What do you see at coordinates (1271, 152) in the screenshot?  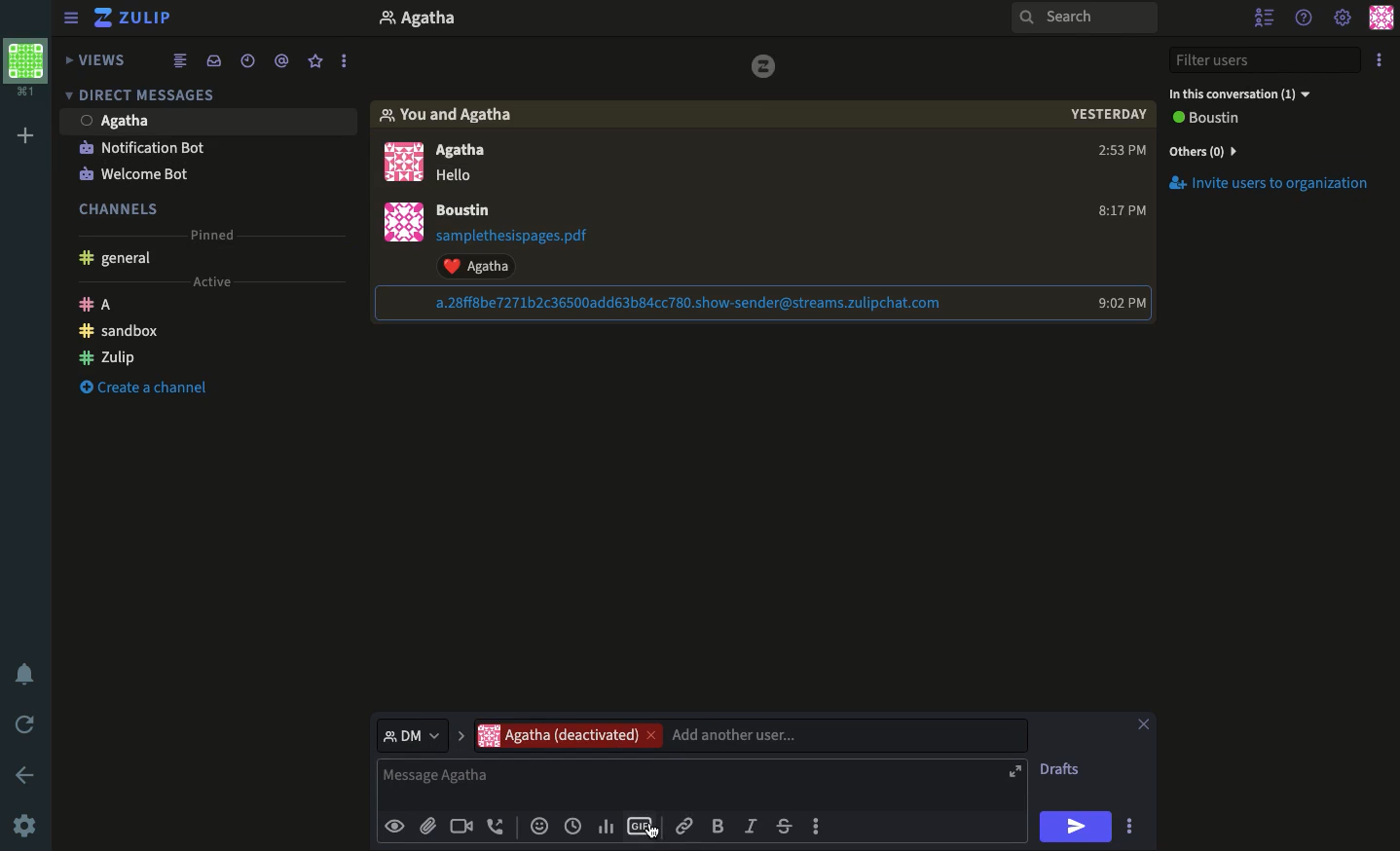 I see `Invite users to organization` at bounding box center [1271, 152].